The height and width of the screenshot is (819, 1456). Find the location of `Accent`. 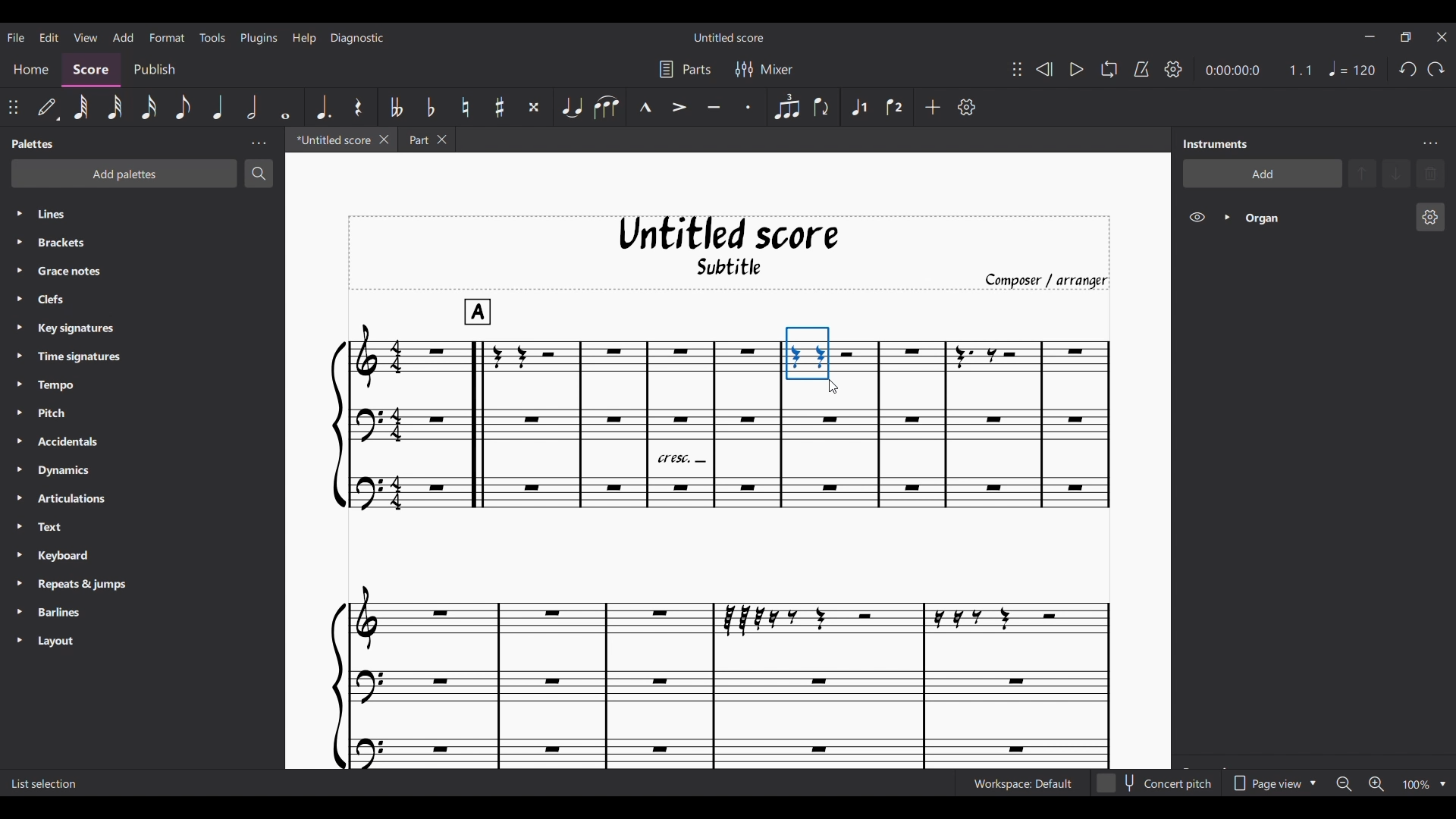

Accent is located at coordinates (679, 108).